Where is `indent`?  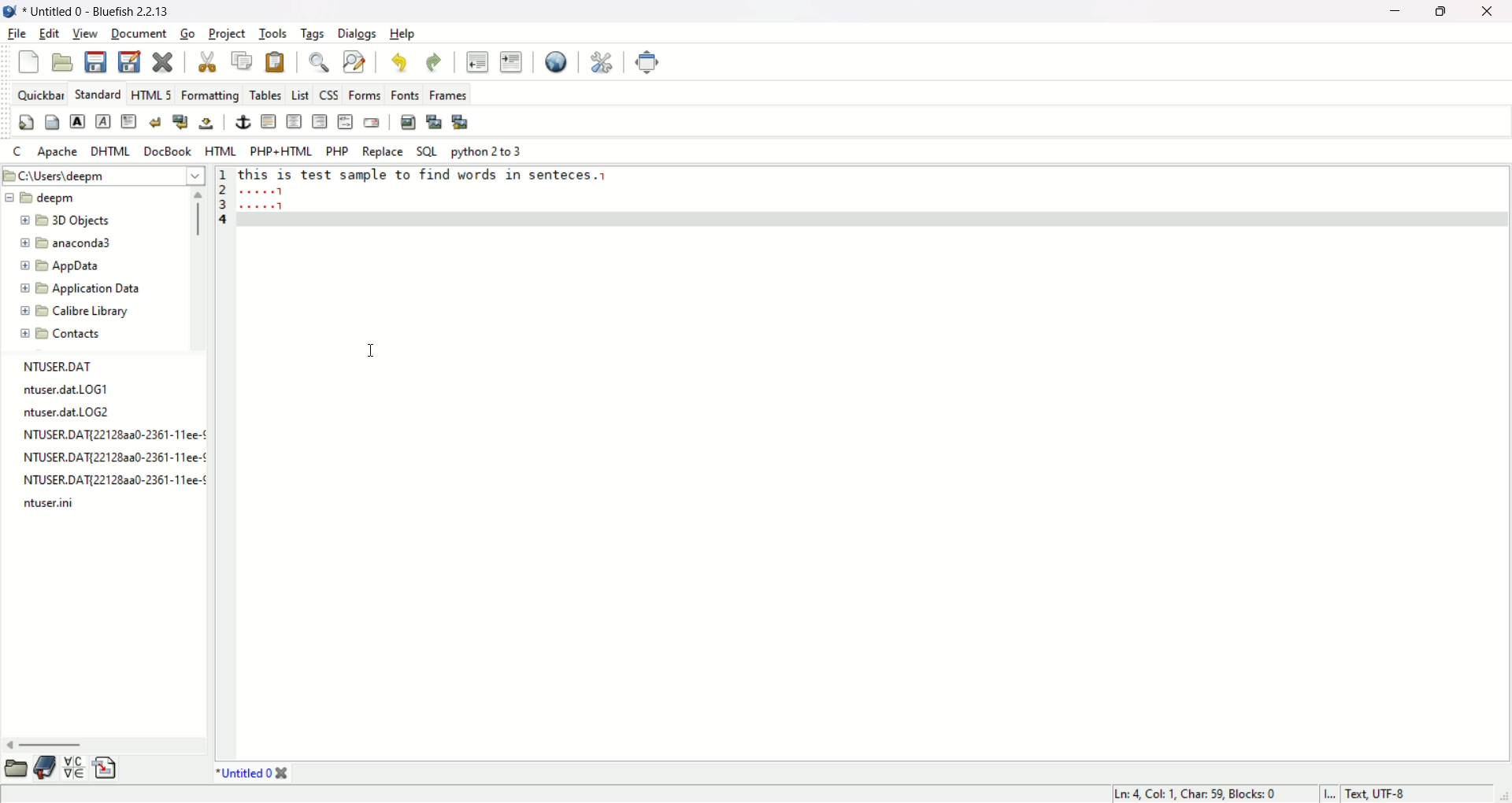 indent is located at coordinates (513, 61).